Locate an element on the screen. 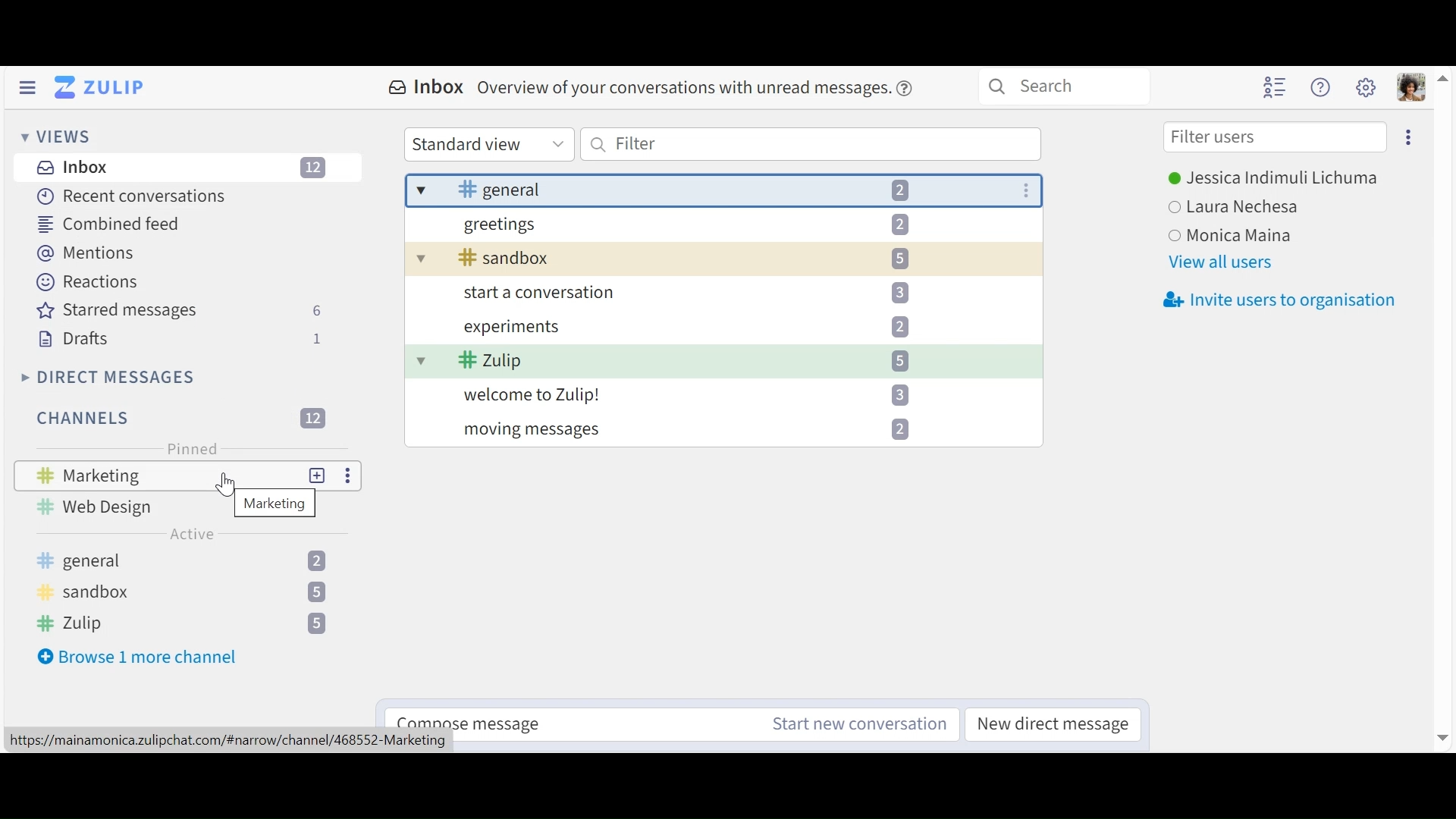 This screenshot has height=819, width=1456. Filter Channels is located at coordinates (178, 418).